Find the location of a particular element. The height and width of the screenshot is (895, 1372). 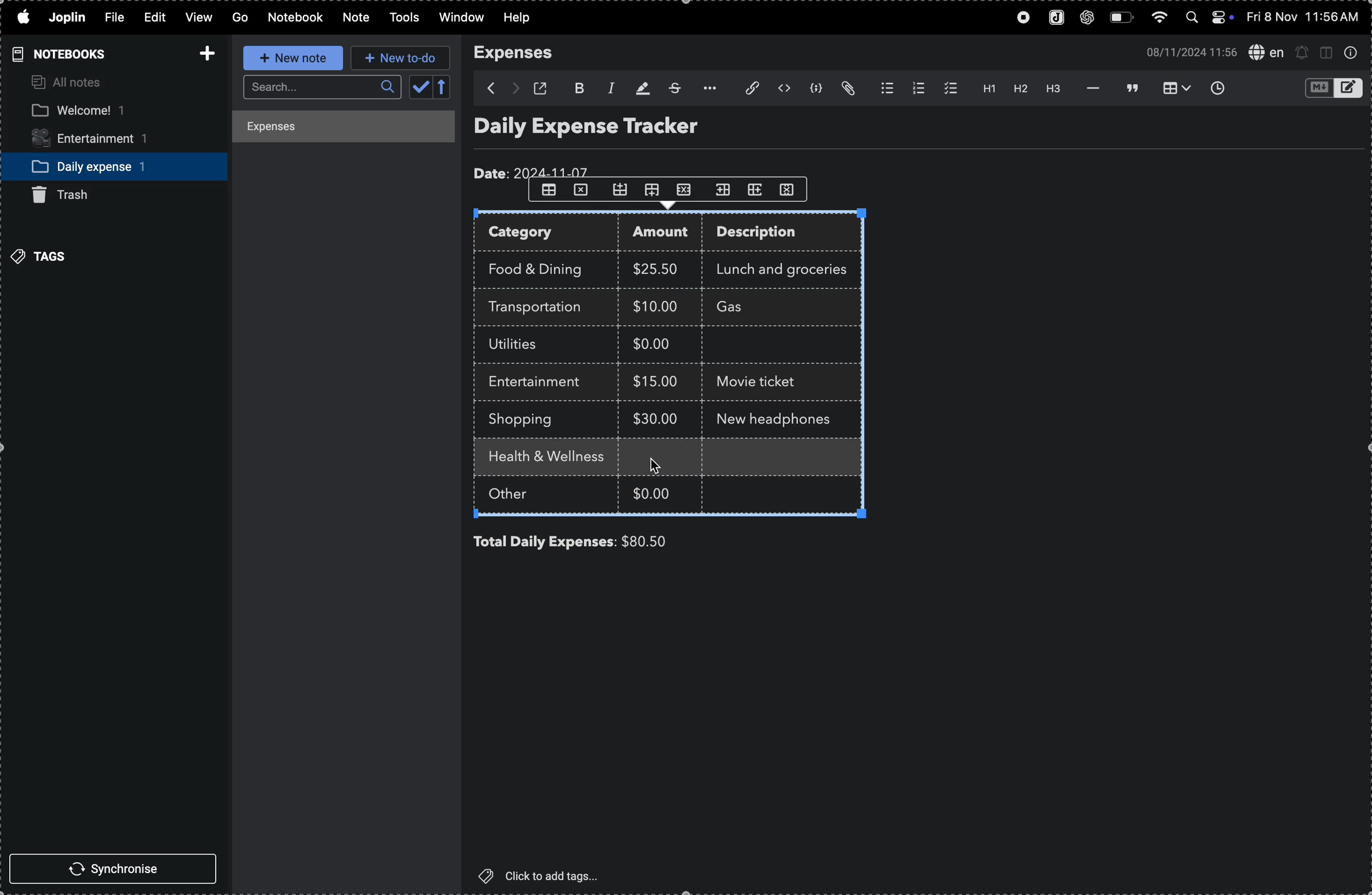

shift coloumn to right is located at coordinates (723, 189).